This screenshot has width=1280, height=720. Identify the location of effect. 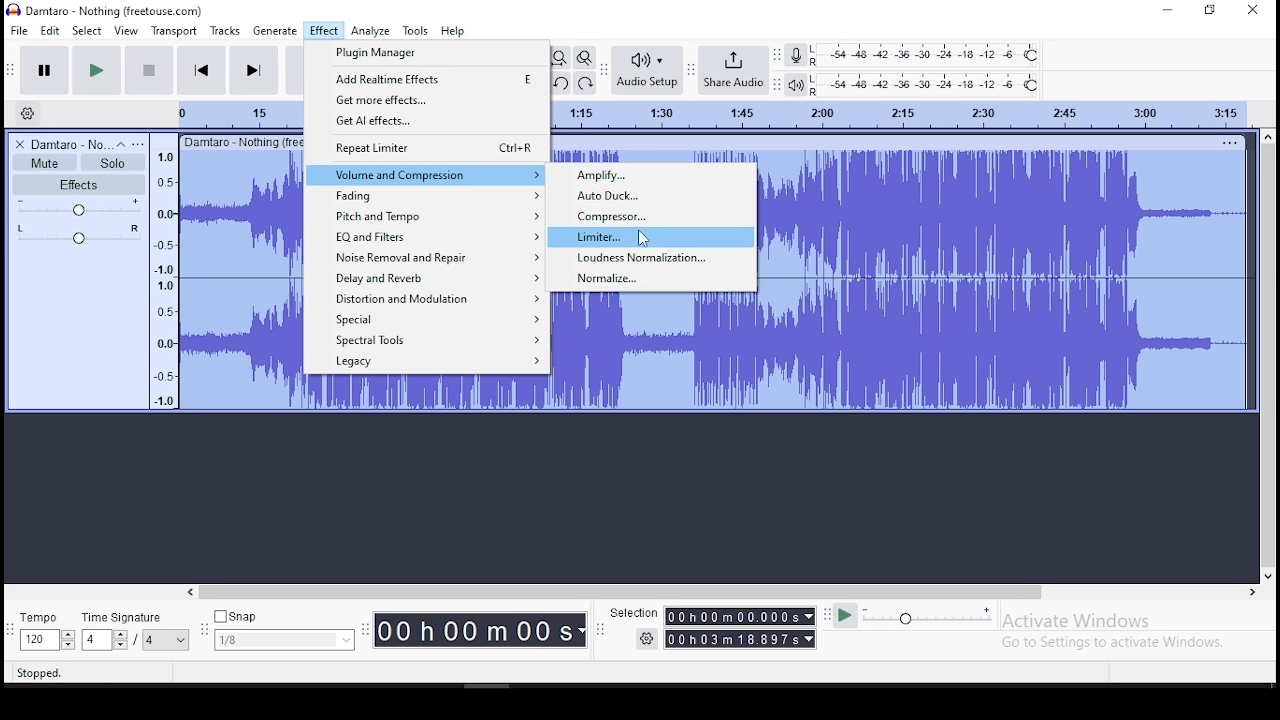
(324, 31).